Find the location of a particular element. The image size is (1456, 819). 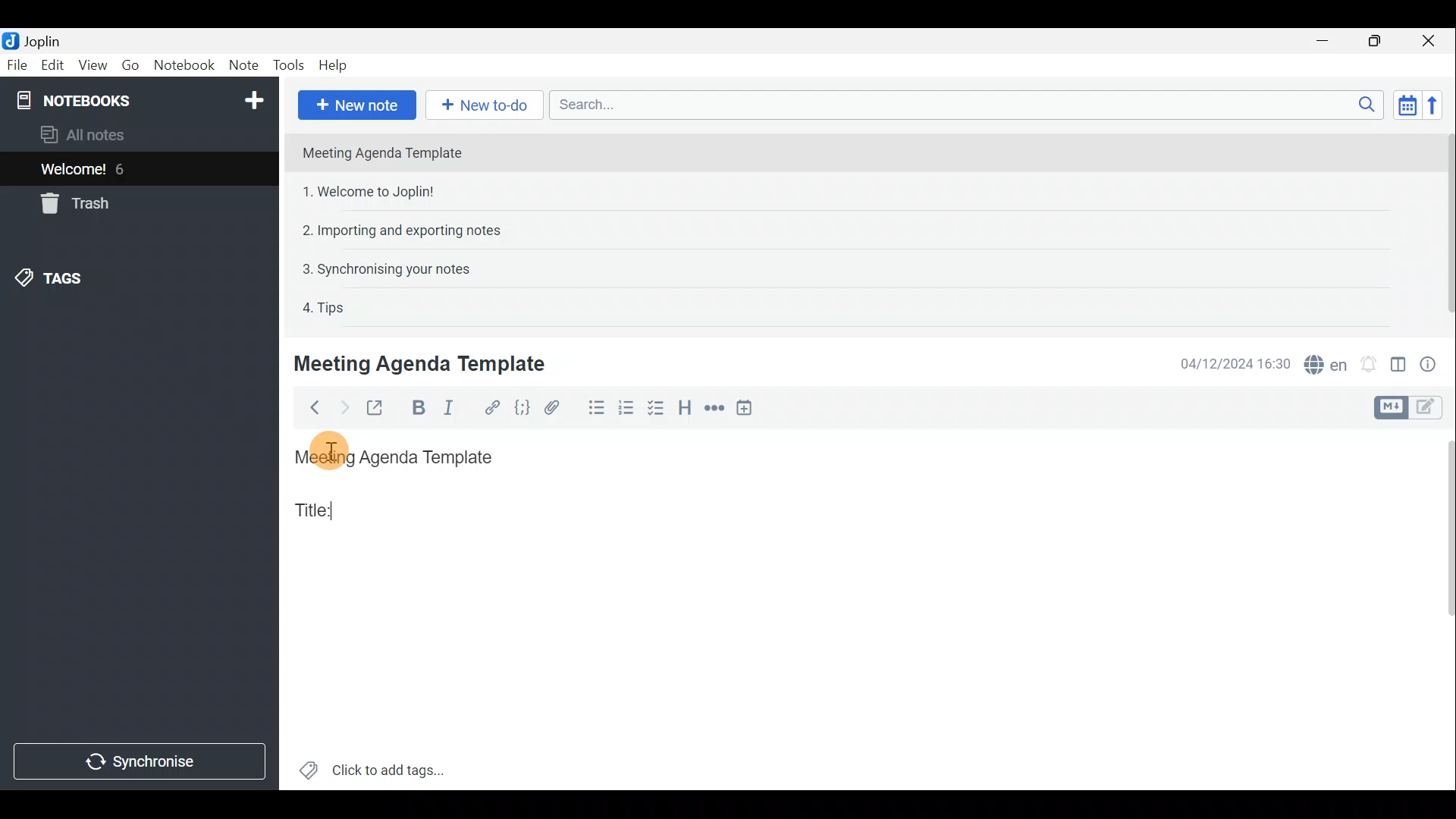

04/12/2024 16:30 is located at coordinates (1228, 362).